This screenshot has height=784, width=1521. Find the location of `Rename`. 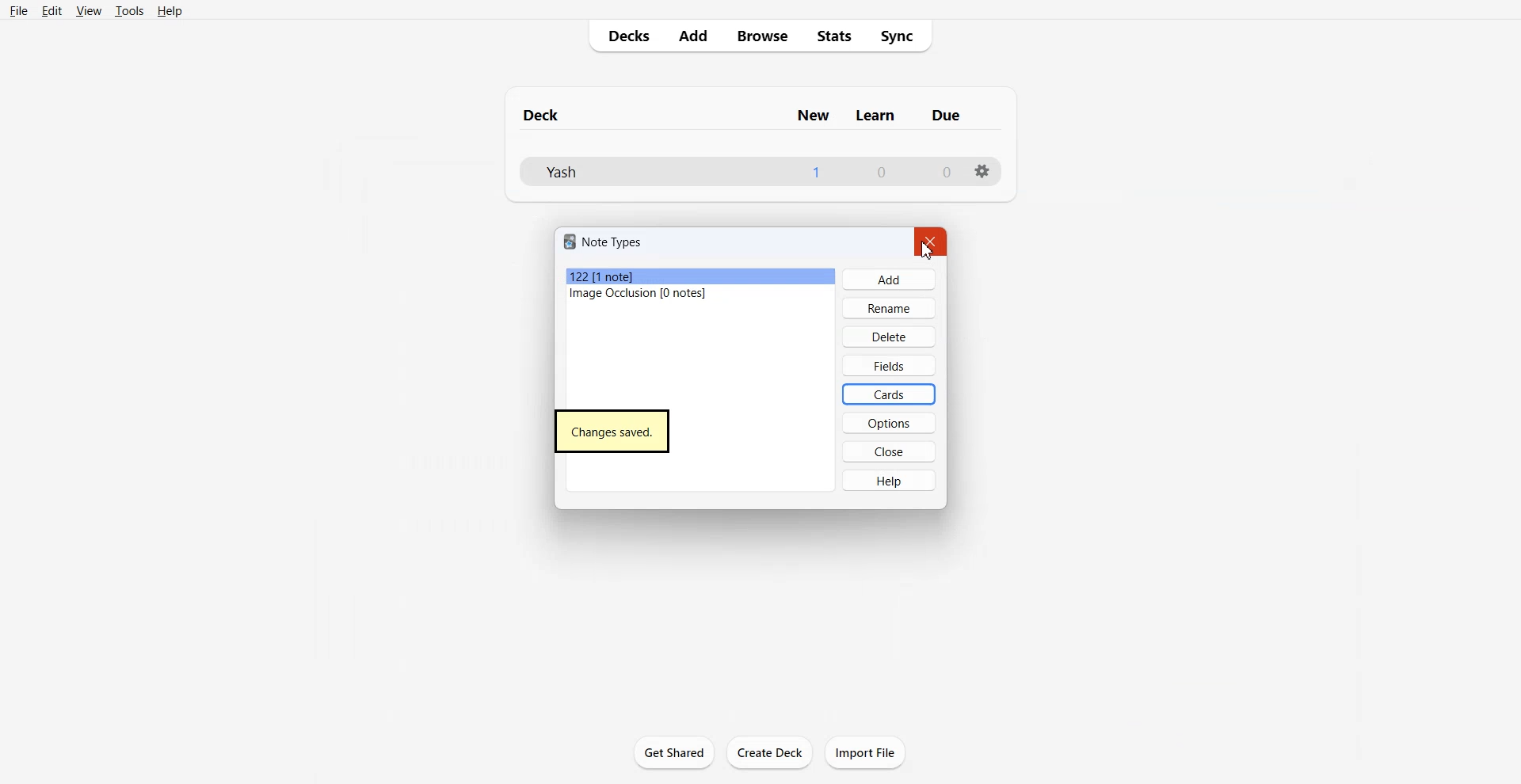

Rename is located at coordinates (890, 307).